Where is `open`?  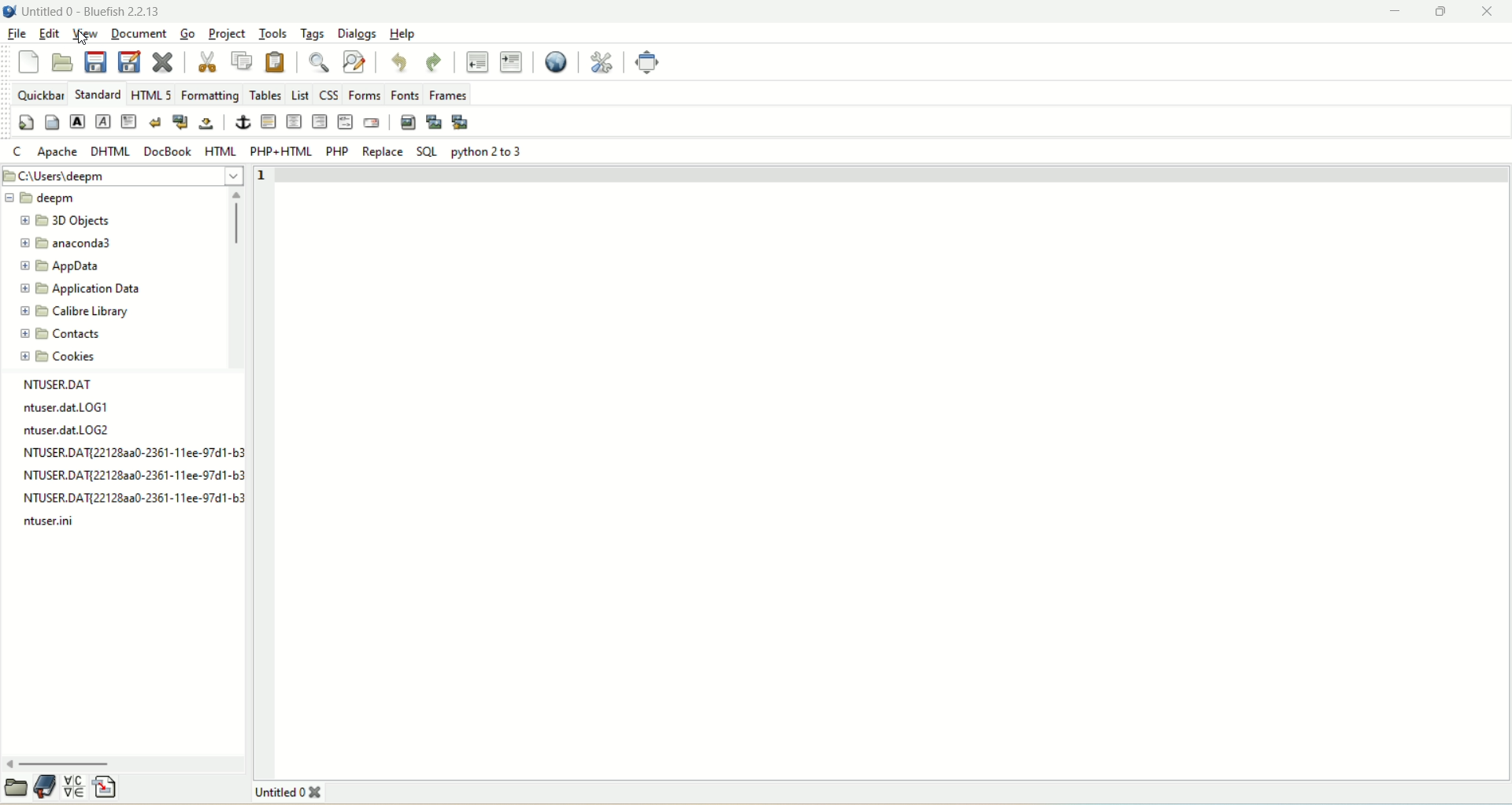
open is located at coordinates (16, 789).